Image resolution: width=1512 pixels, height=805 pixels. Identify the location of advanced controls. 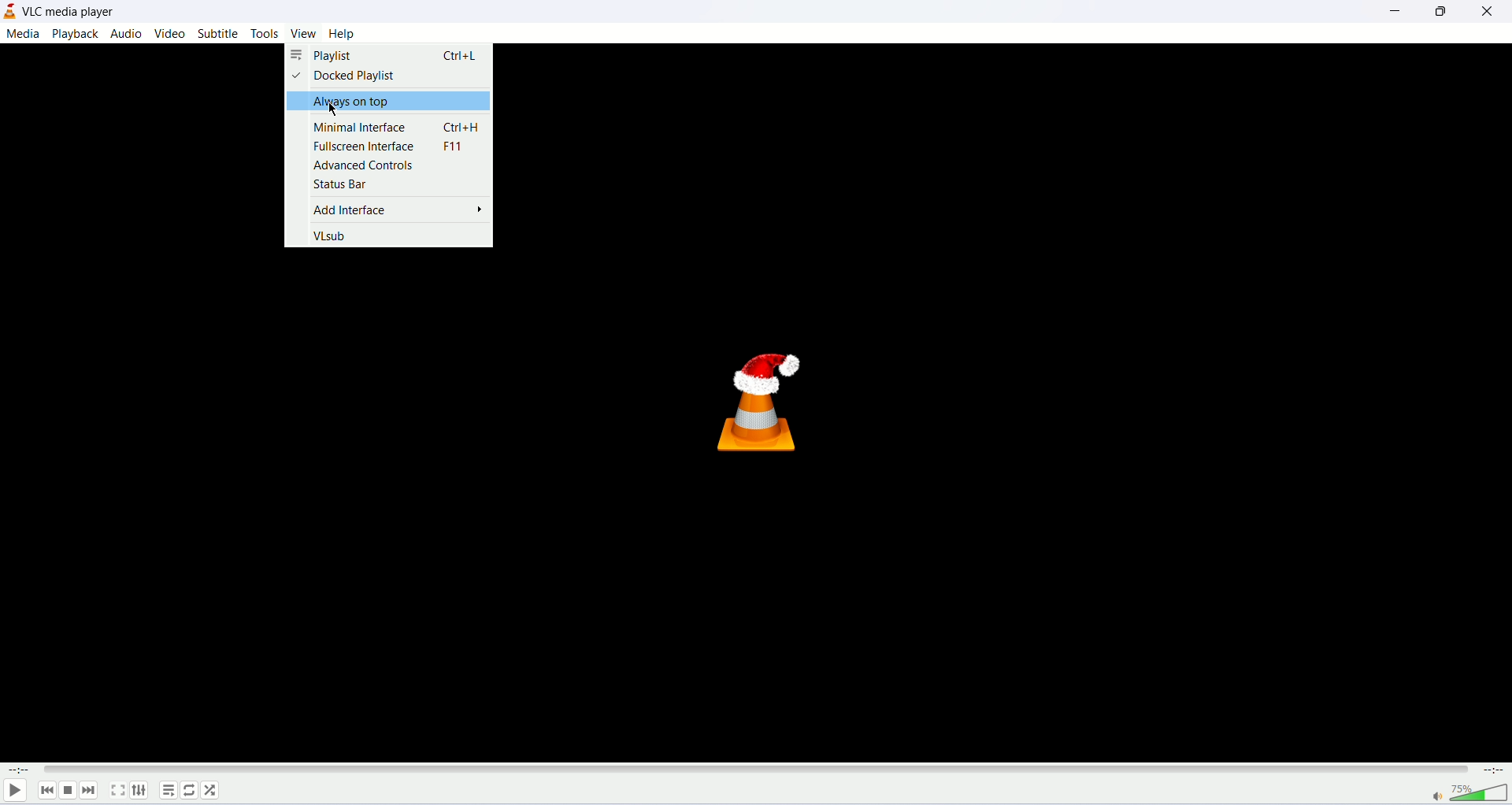
(361, 165).